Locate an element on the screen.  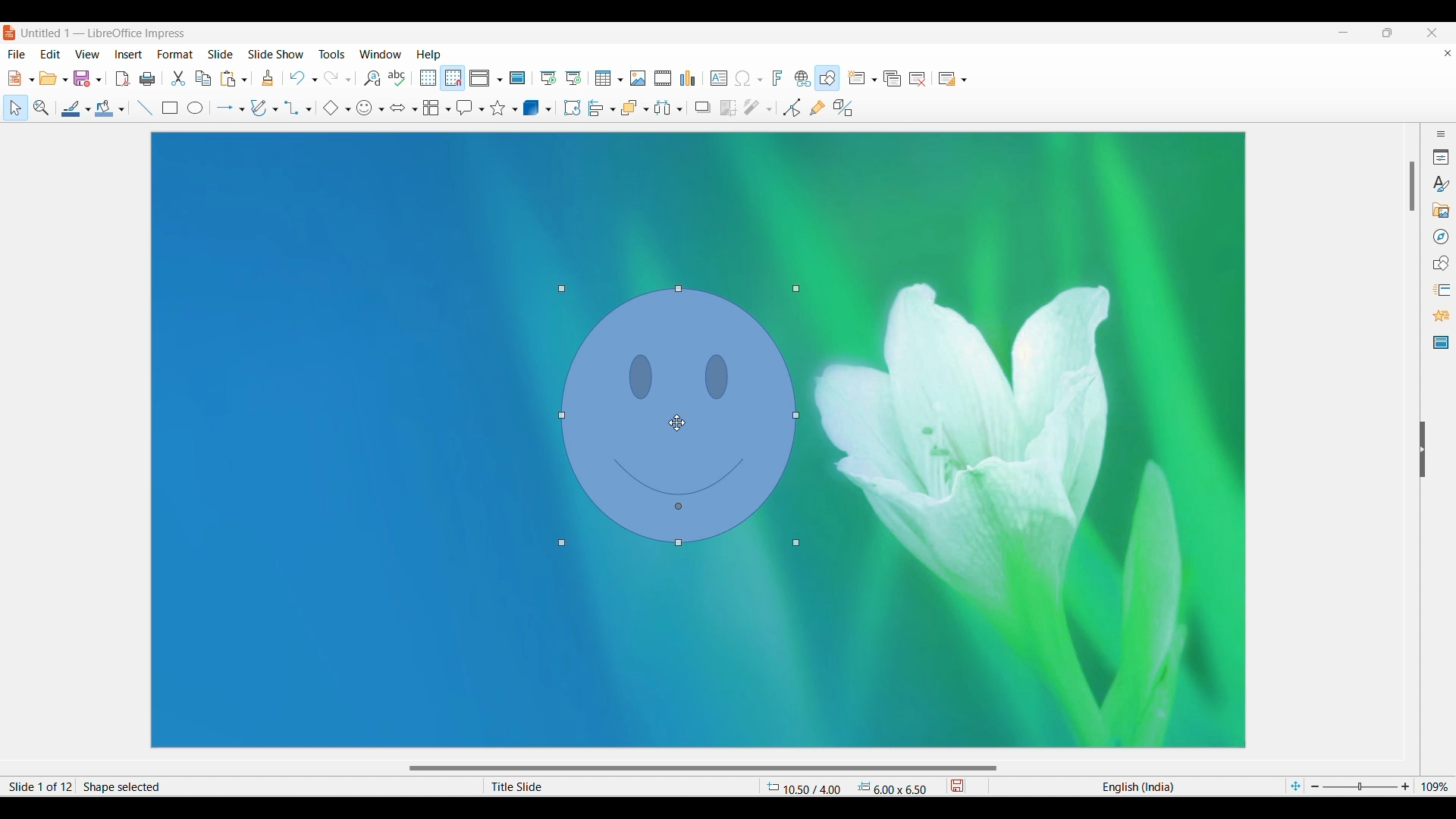
Styles is located at coordinates (1440, 184).